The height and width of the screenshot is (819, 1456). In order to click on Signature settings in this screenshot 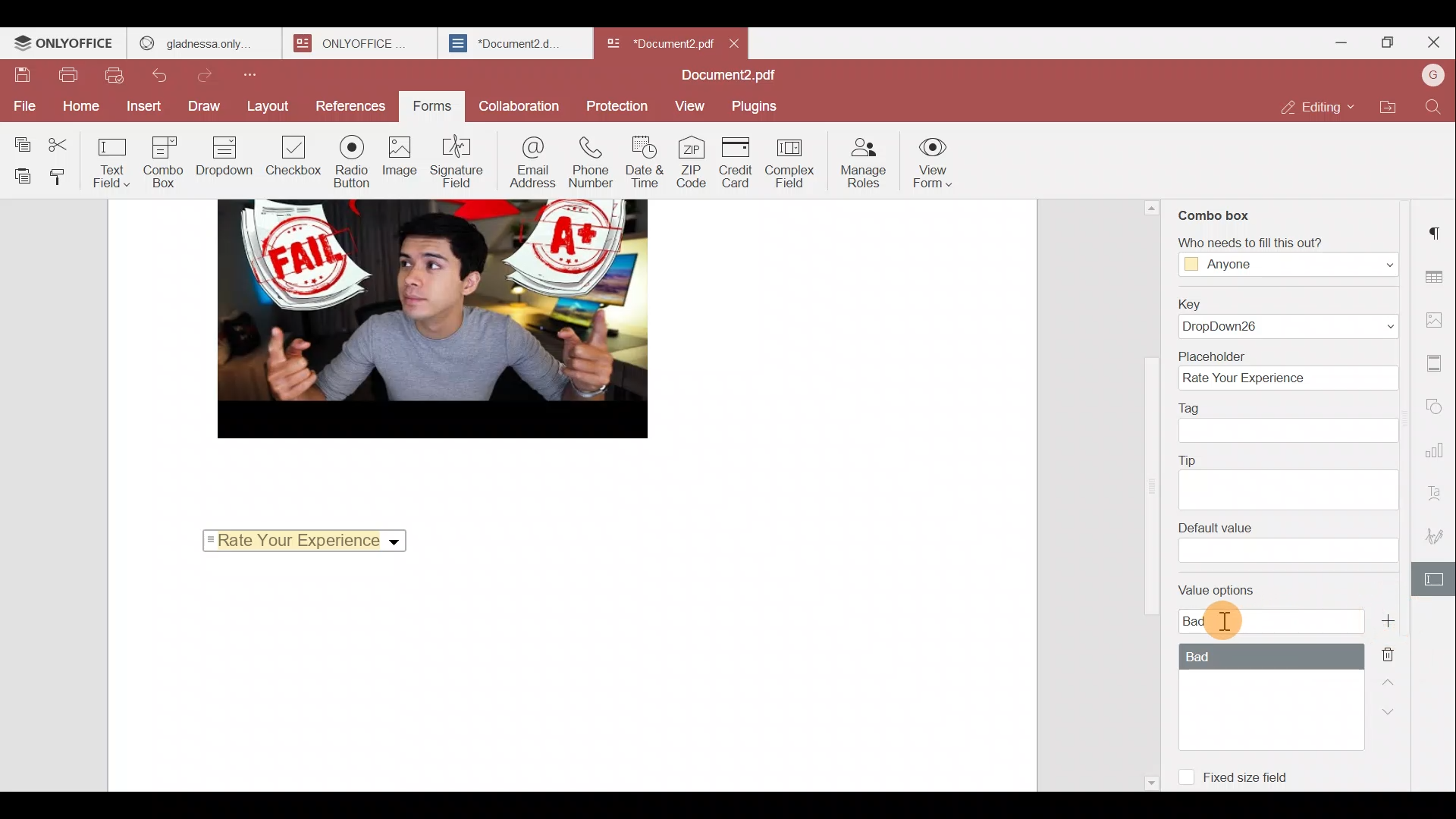, I will do `click(1437, 532)`.